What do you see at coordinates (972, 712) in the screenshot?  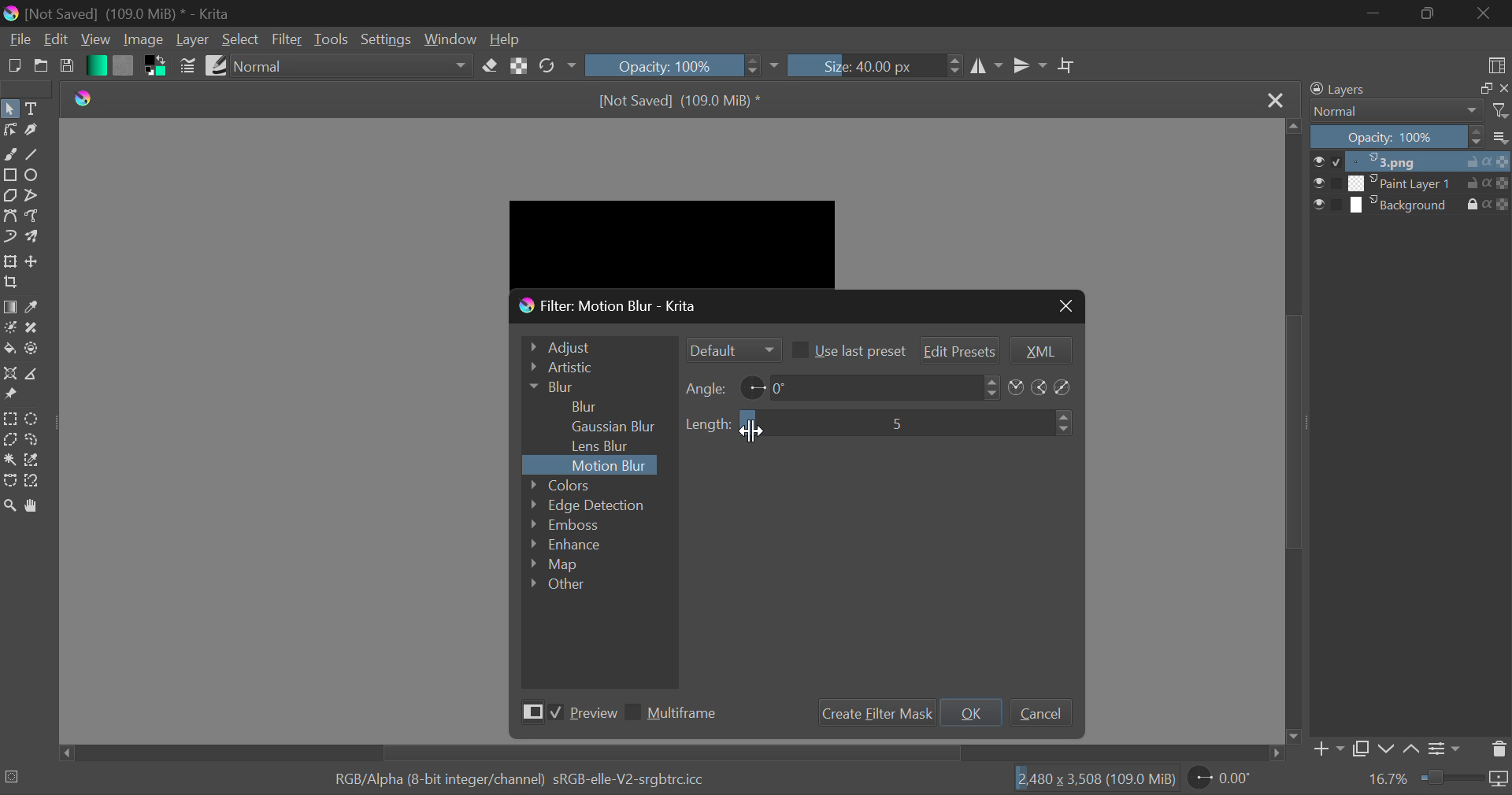 I see `OK` at bounding box center [972, 712].